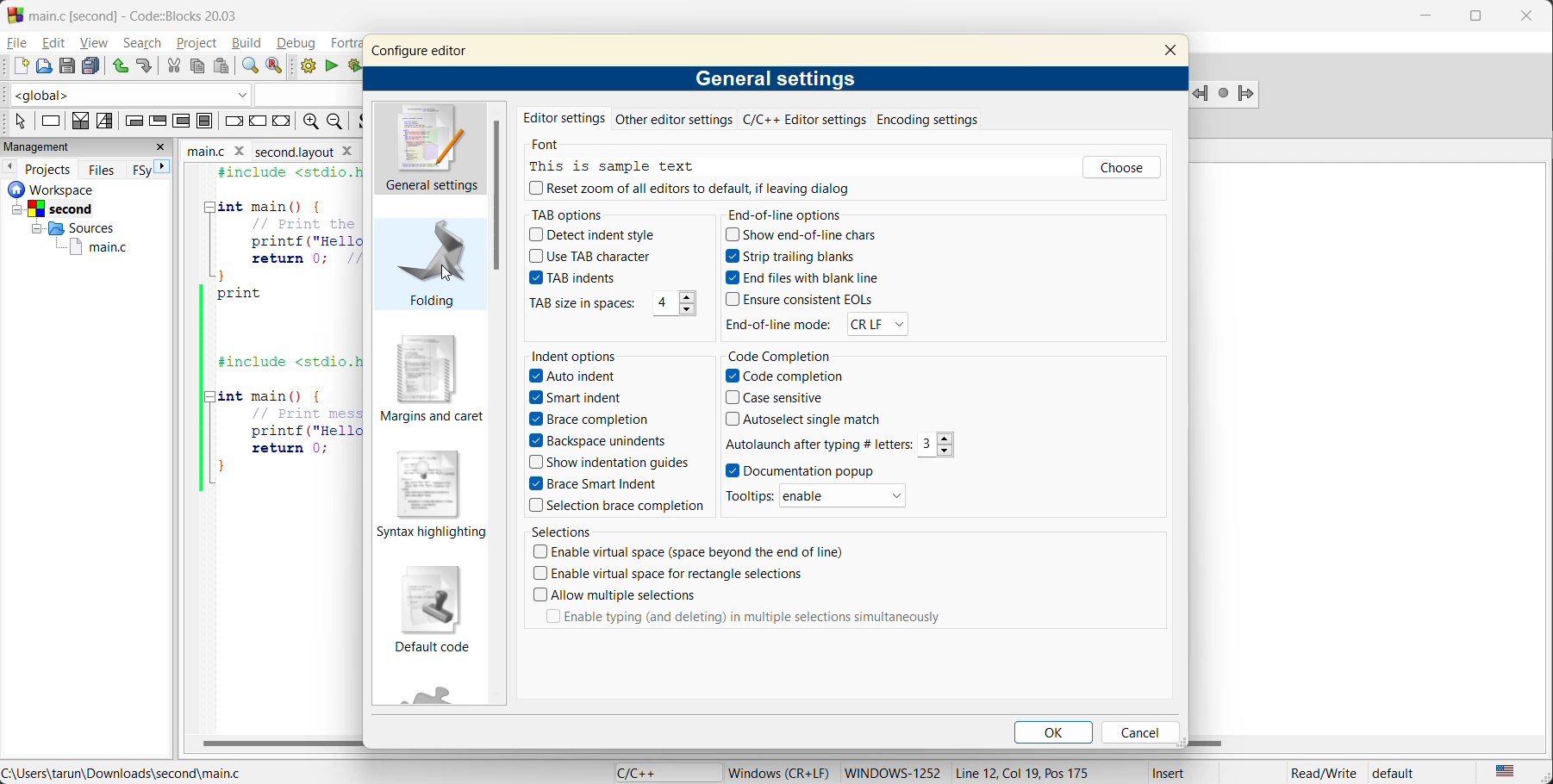 Image resolution: width=1553 pixels, height=784 pixels. What do you see at coordinates (816, 323) in the screenshot?
I see `end of line mode` at bounding box center [816, 323].